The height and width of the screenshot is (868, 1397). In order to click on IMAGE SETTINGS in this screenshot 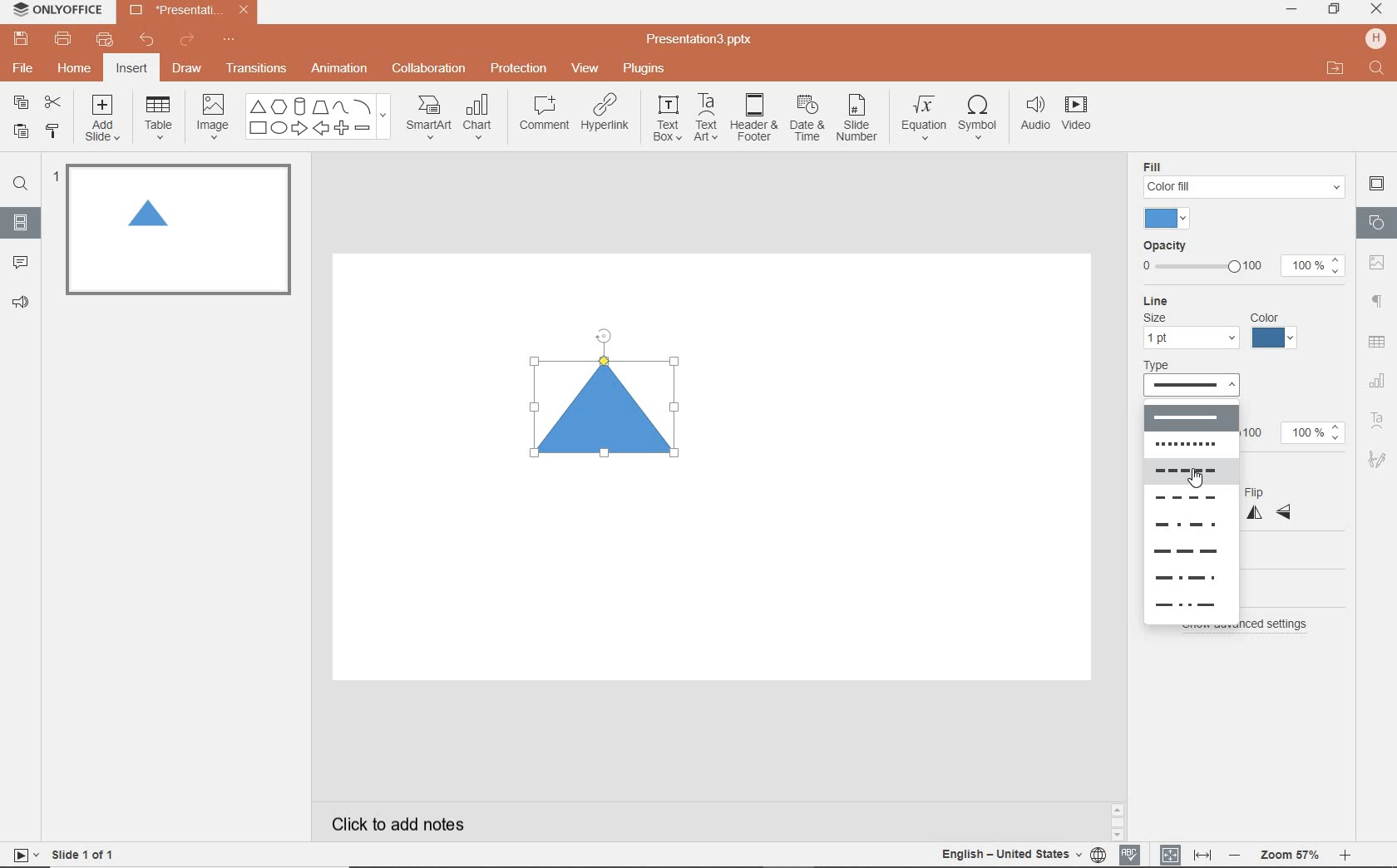, I will do `click(1377, 262)`.